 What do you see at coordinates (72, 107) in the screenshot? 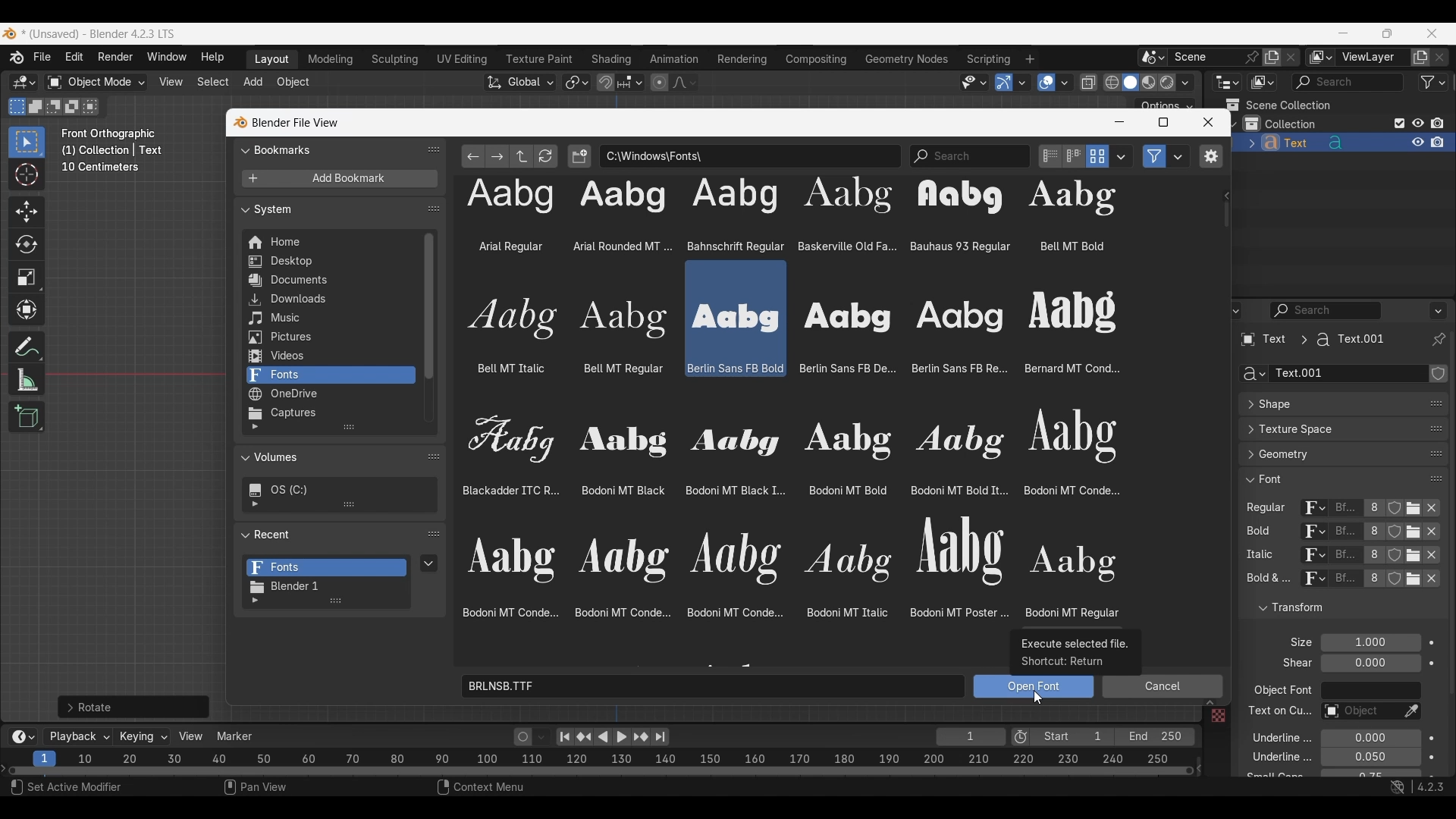
I see `Invert existing selection` at bounding box center [72, 107].